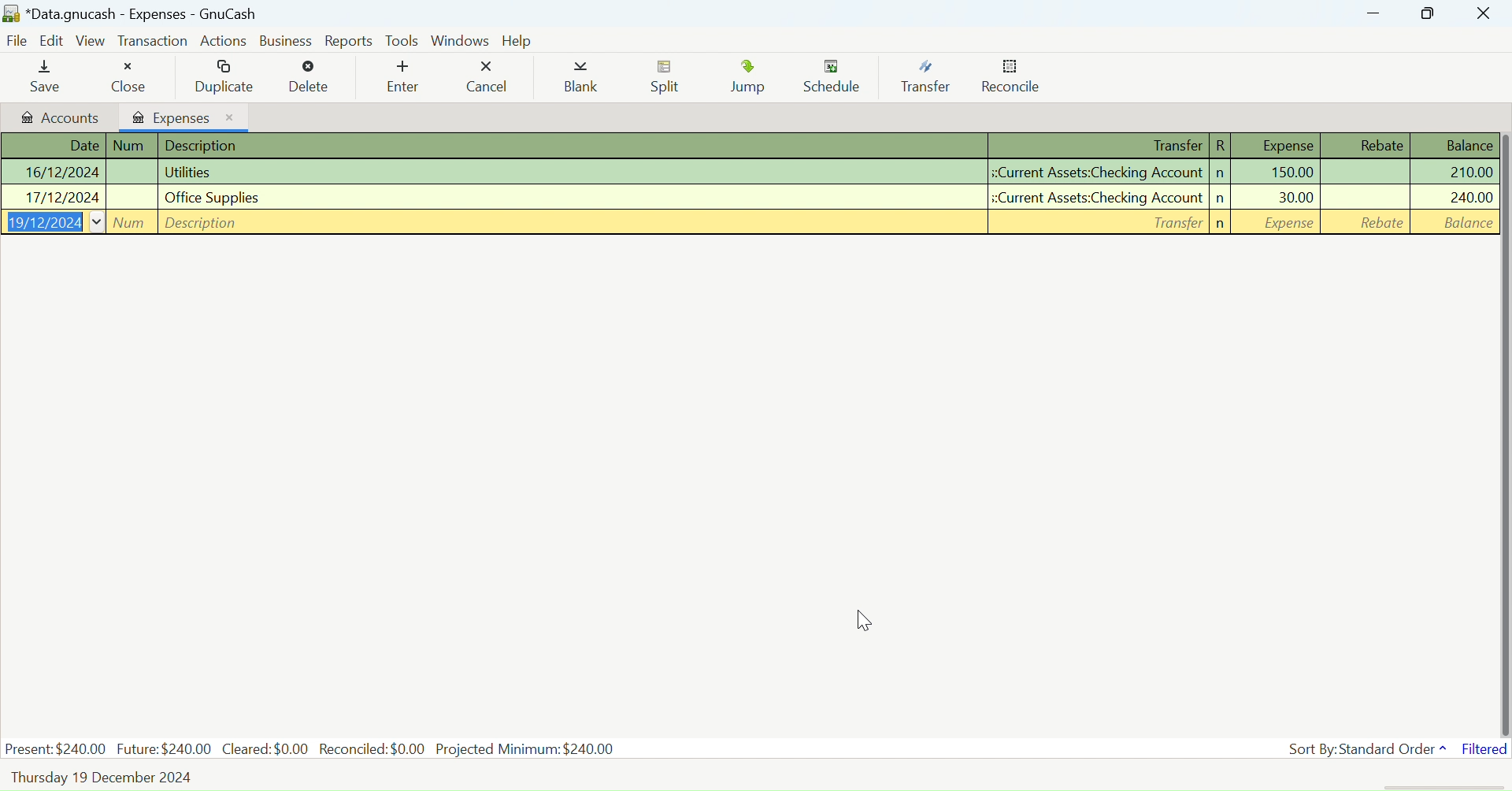  What do you see at coordinates (581, 80) in the screenshot?
I see `Blank` at bounding box center [581, 80].